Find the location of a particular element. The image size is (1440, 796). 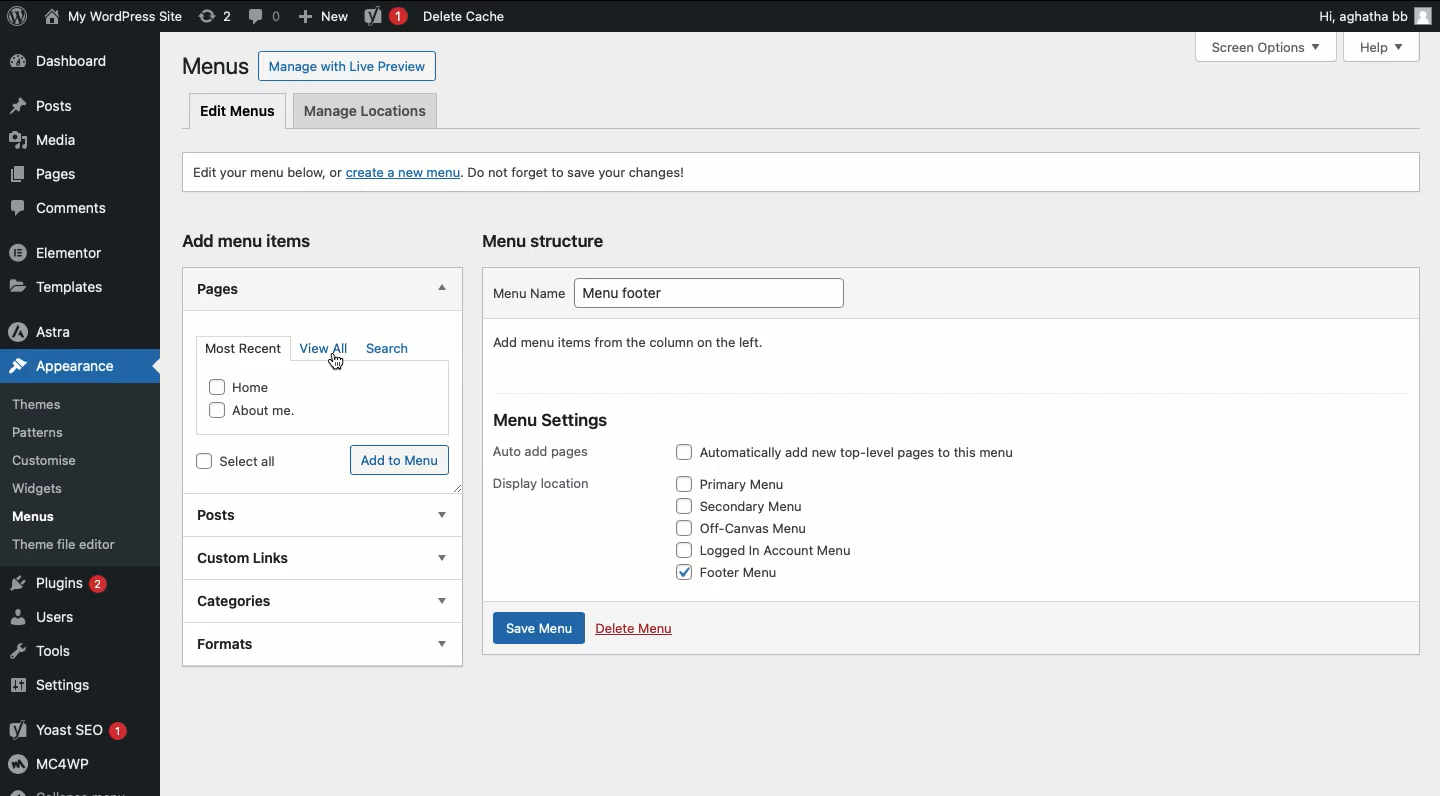

Delete menu is located at coordinates (637, 631).